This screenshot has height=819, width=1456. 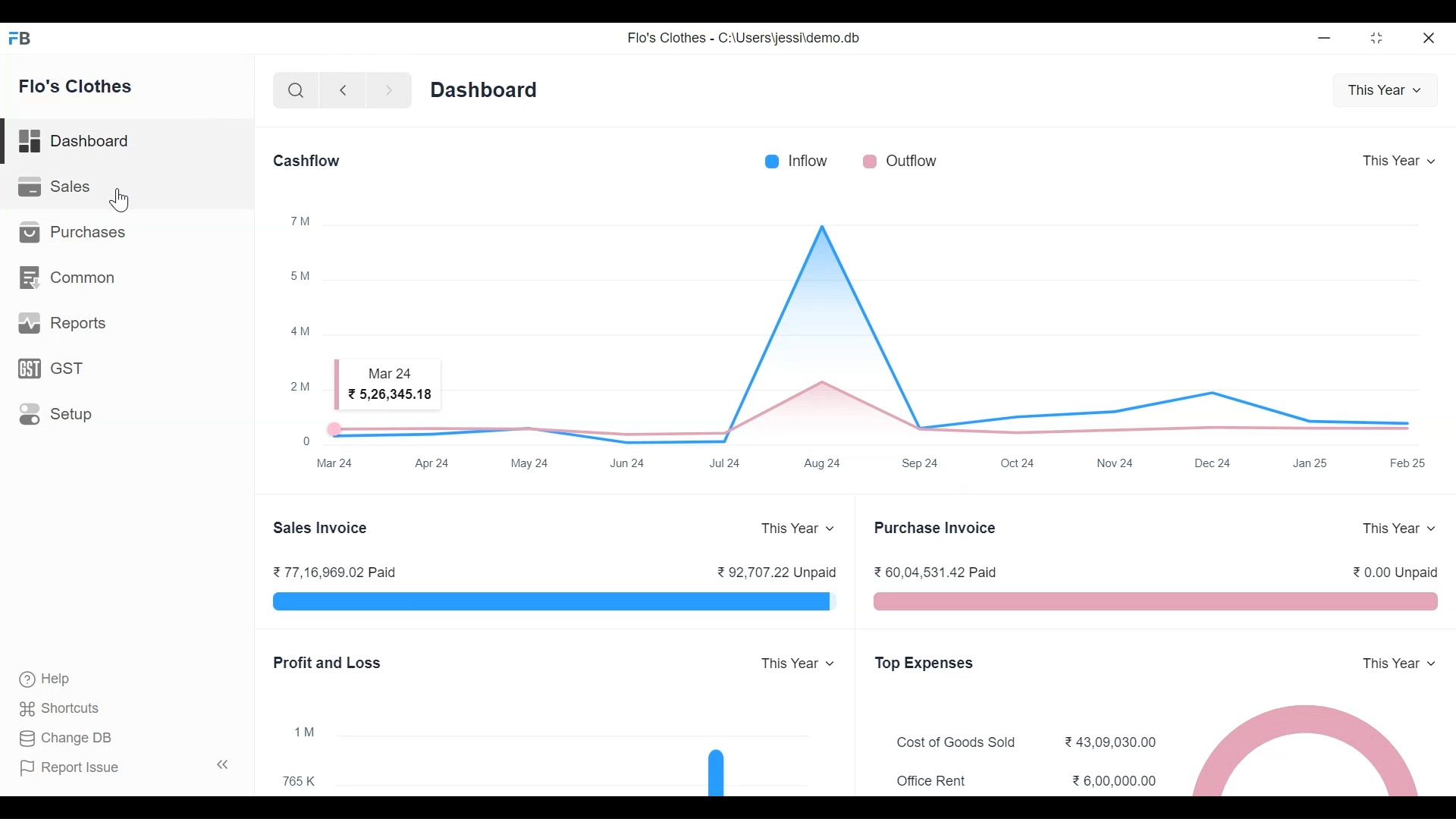 I want to click on i, so click(x=303, y=731).